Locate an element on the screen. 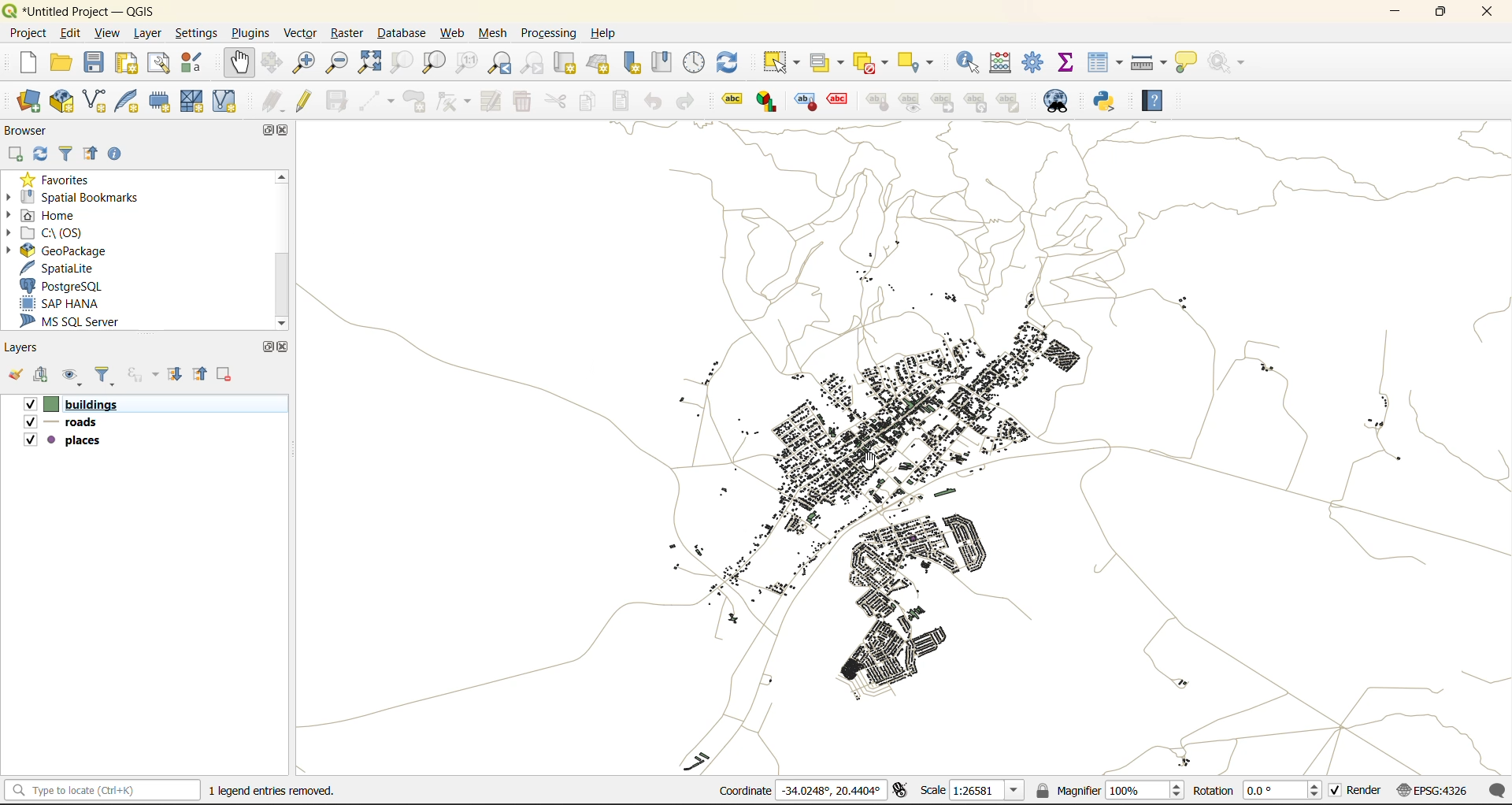 This screenshot has width=1512, height=805. cursor is located at coordinates (875, 462).